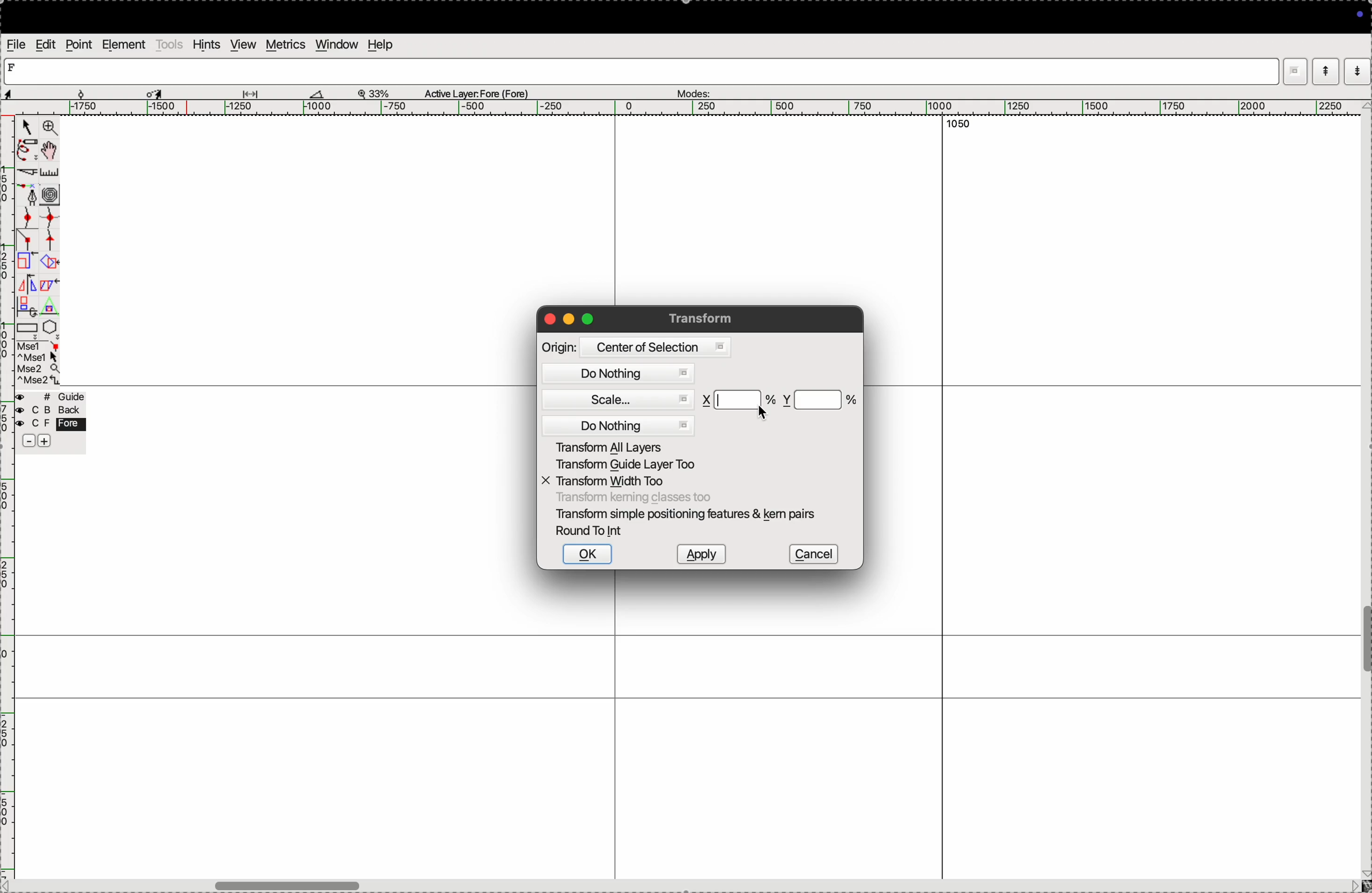 This screenshot has width=1372, height=893. Describe the element at coordinates (593, 532) in the screenshot. I see `round to int` at that location.